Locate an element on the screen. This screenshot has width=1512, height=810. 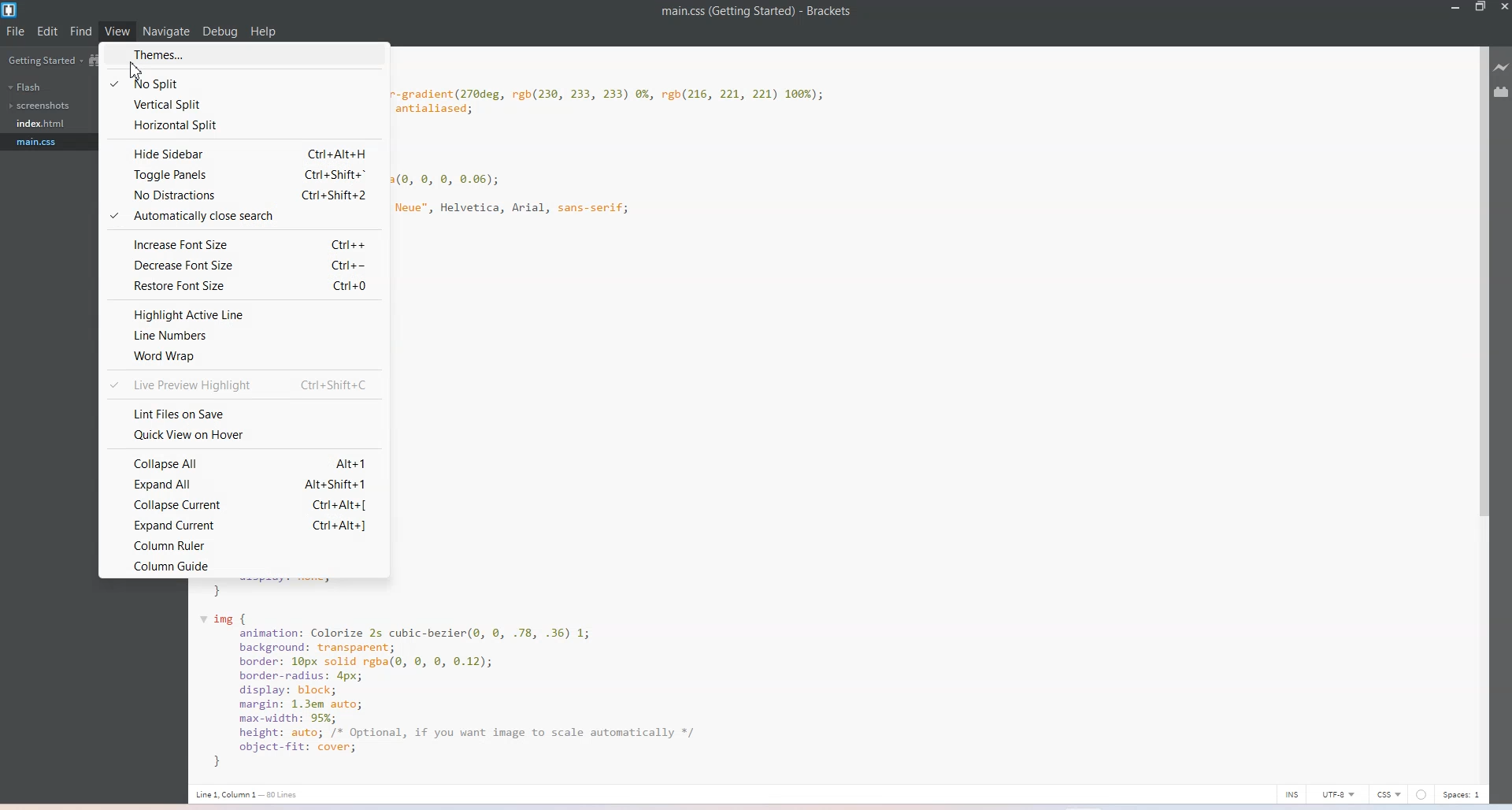
Lint files on save is located at coordinates (243, 411).